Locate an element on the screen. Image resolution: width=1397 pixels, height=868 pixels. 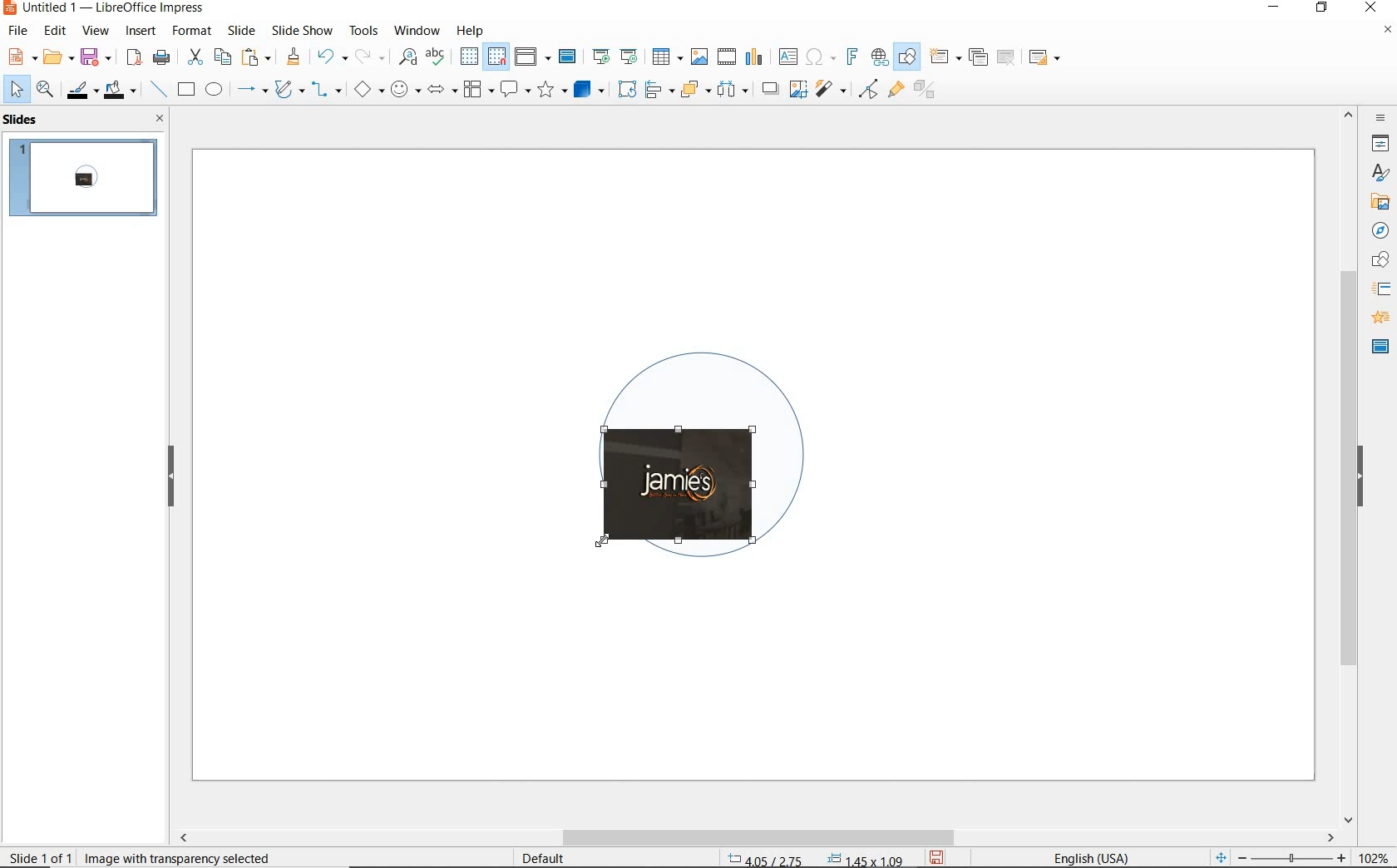
connectors is located at coordinates (327, 91).